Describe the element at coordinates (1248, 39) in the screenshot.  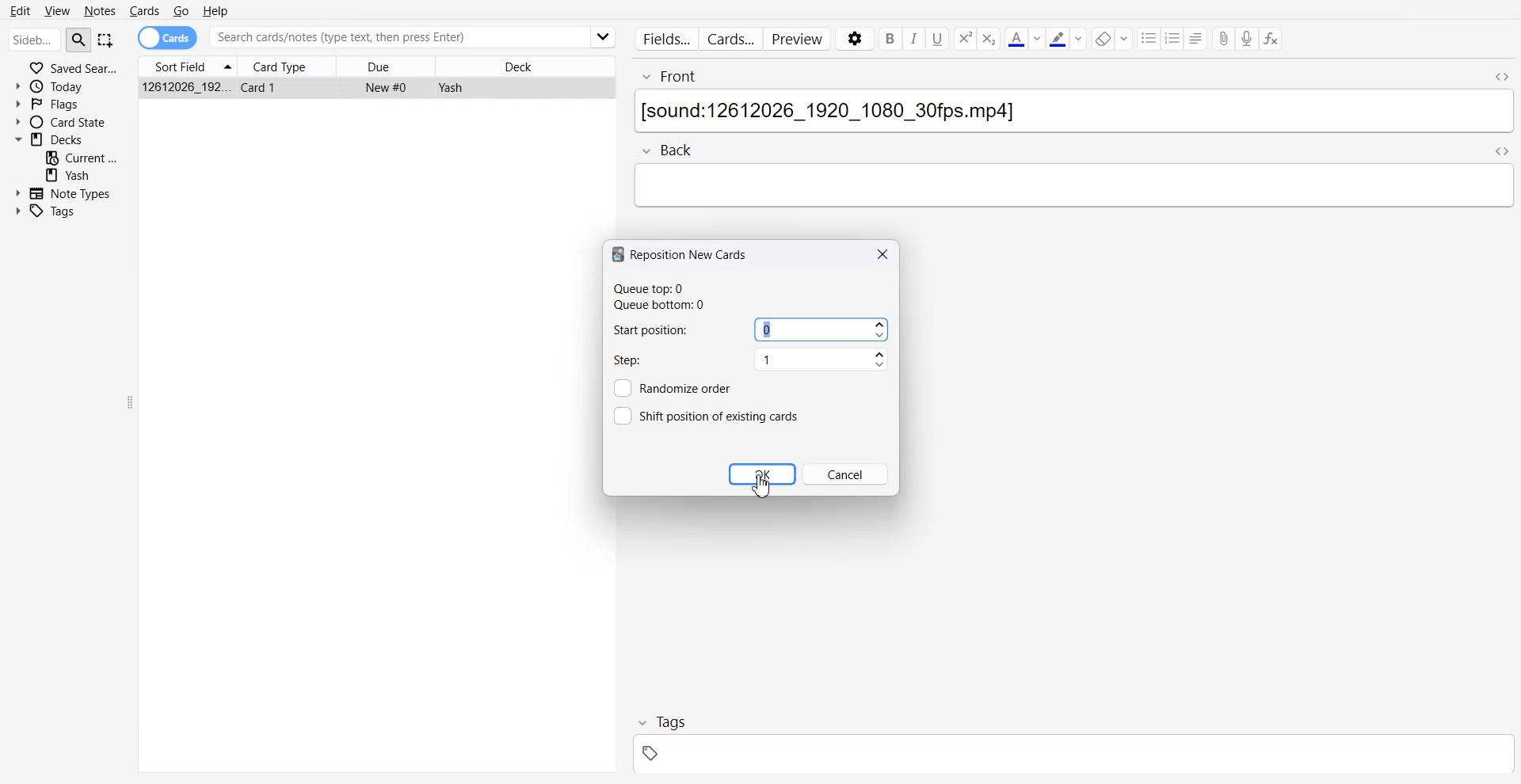
I see `Record audio` at that location.